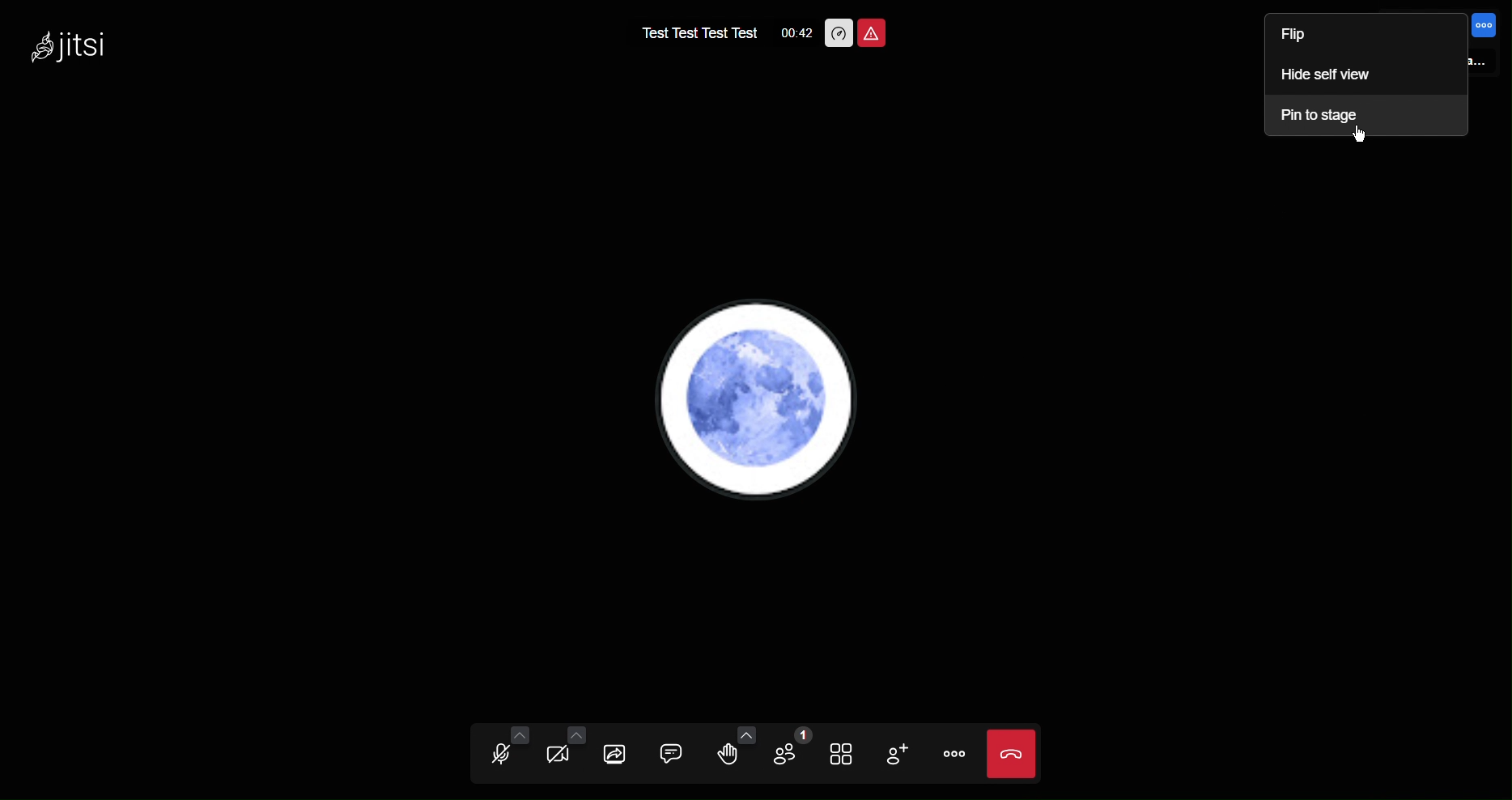 Image resolution: width=1512 pixels, height=800 pixels. I want to click on Tile View, so click(842, 752).